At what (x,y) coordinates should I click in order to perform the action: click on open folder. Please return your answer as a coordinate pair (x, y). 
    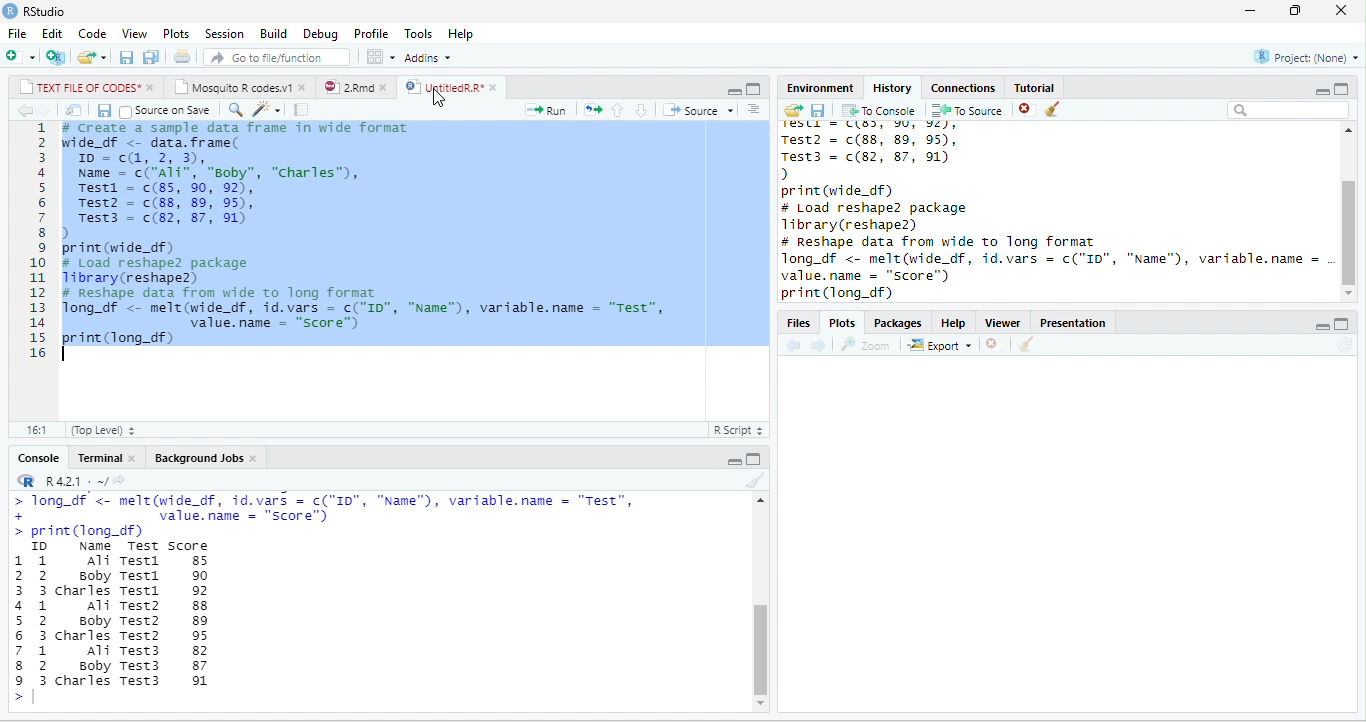
    Looking at the image, I should click on (794, 110).